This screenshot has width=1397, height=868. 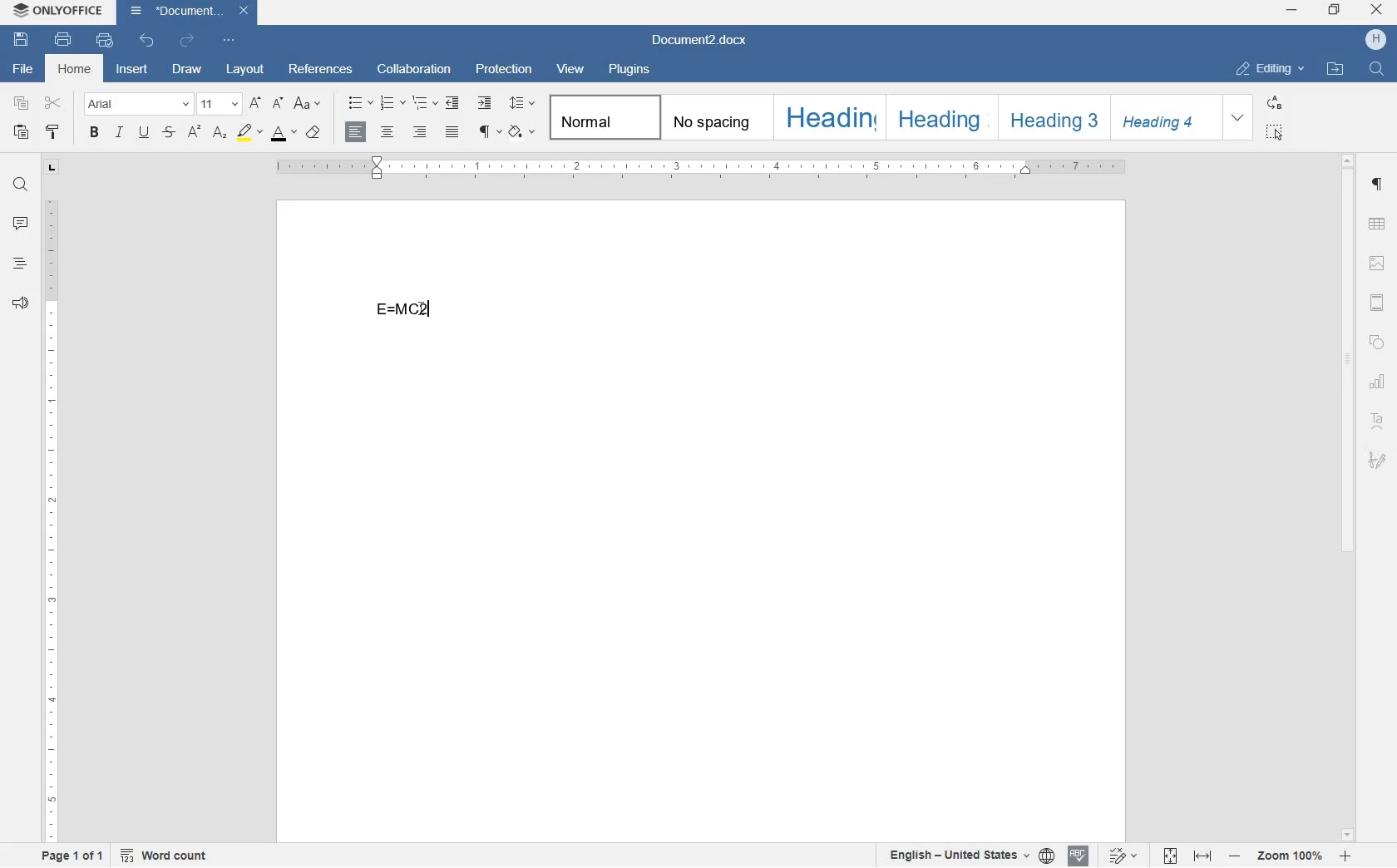 What do you see at coordinates (1376, 40) in the screenshot?
I see `hp` at bounding box center [1376, 40].